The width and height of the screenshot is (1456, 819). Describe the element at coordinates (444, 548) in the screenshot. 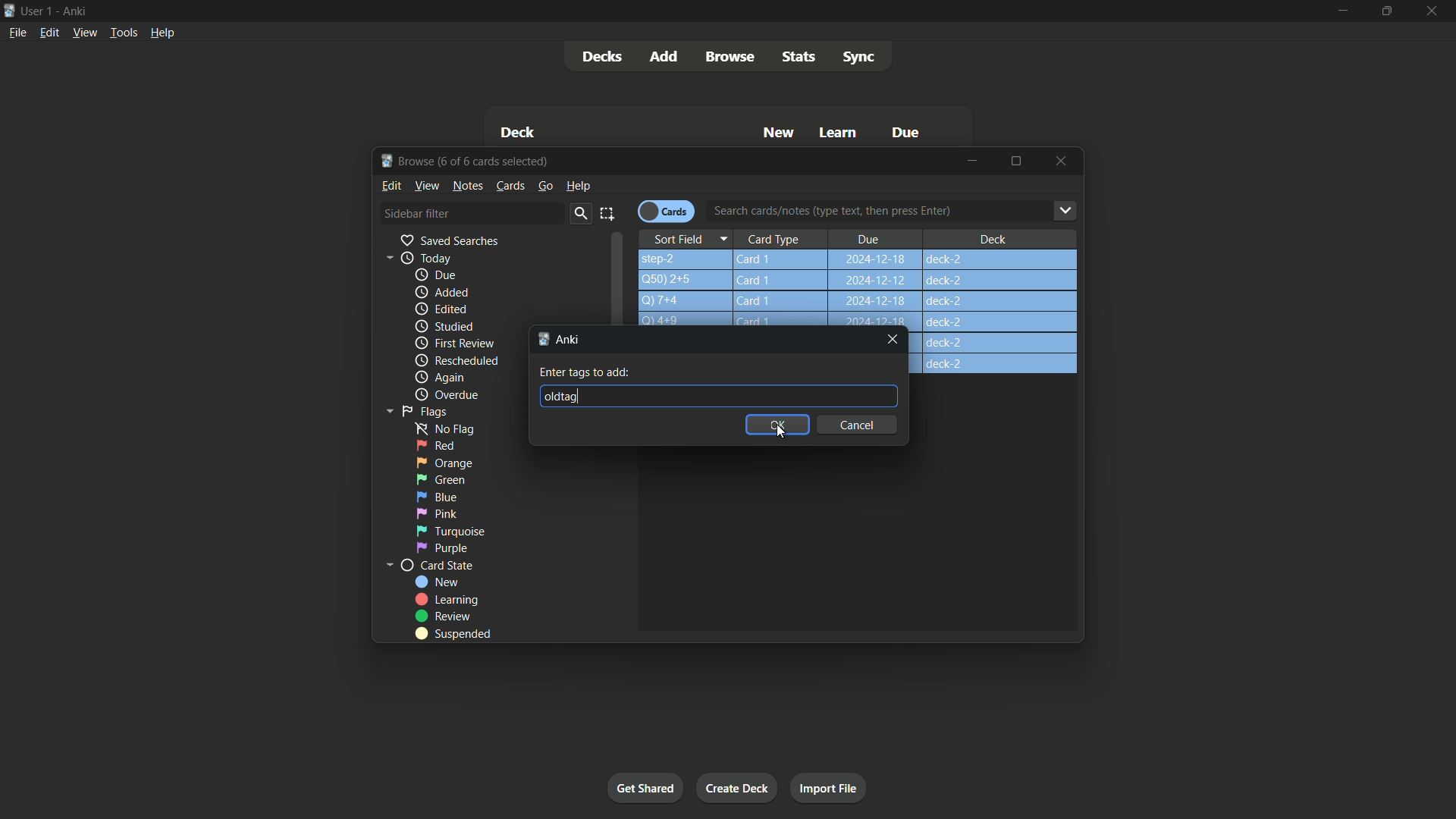

I see `Purple` at that location.